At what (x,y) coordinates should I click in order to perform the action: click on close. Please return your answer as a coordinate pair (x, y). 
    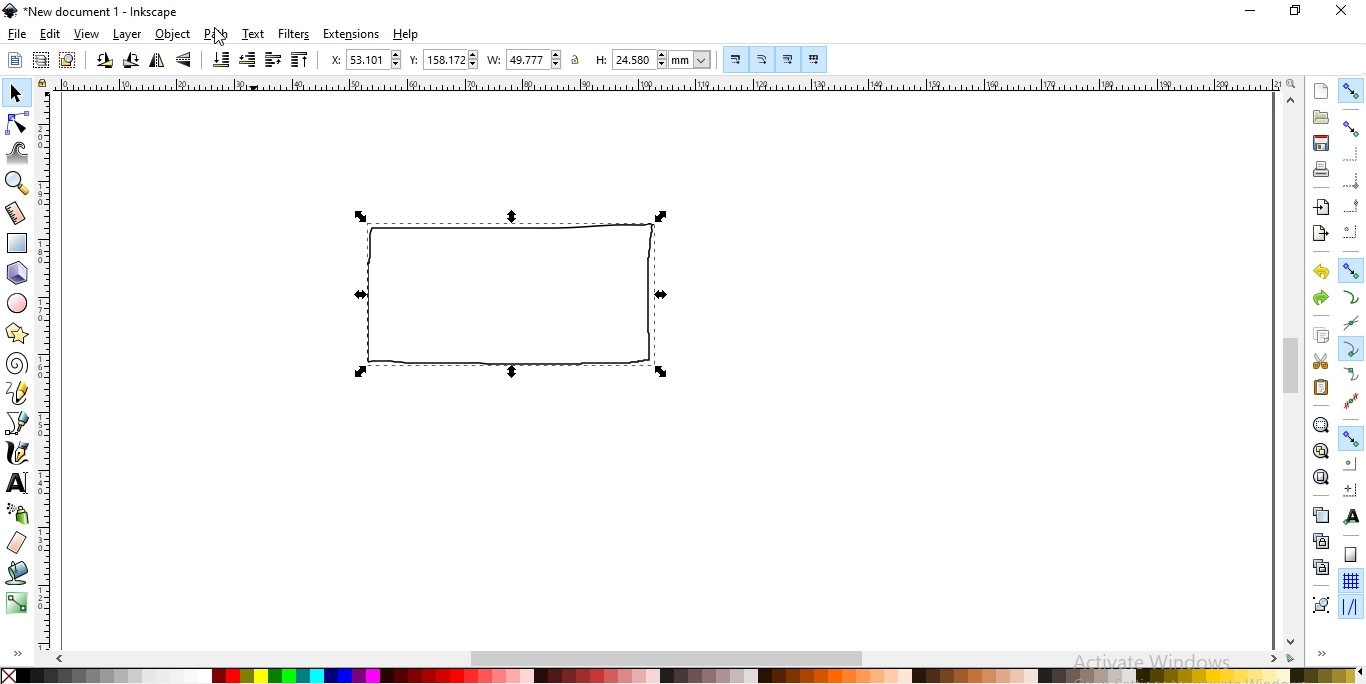
    Looking at the image, I should click on (1346, 10).